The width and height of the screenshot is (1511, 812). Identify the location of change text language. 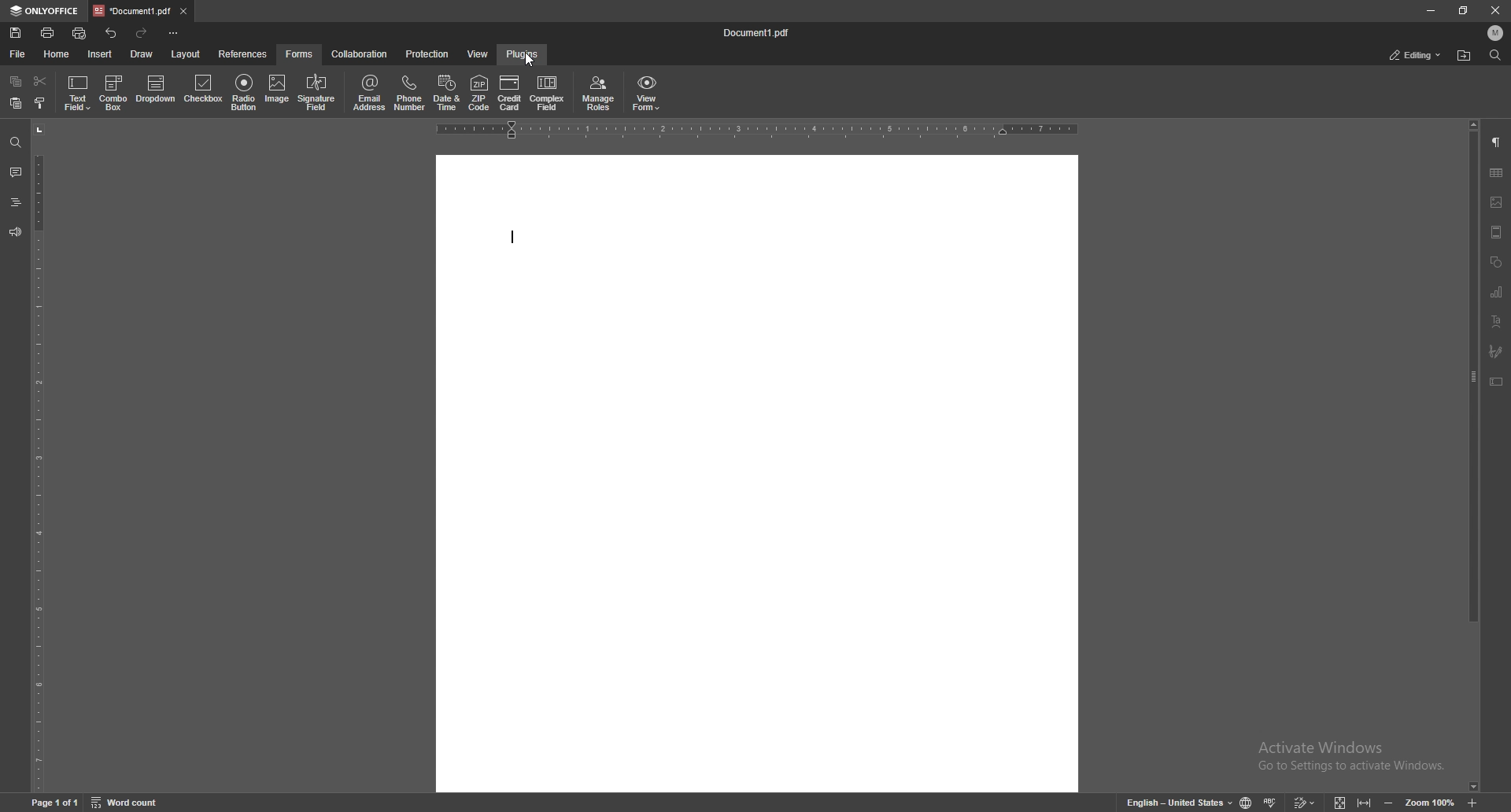
(1179, 803).